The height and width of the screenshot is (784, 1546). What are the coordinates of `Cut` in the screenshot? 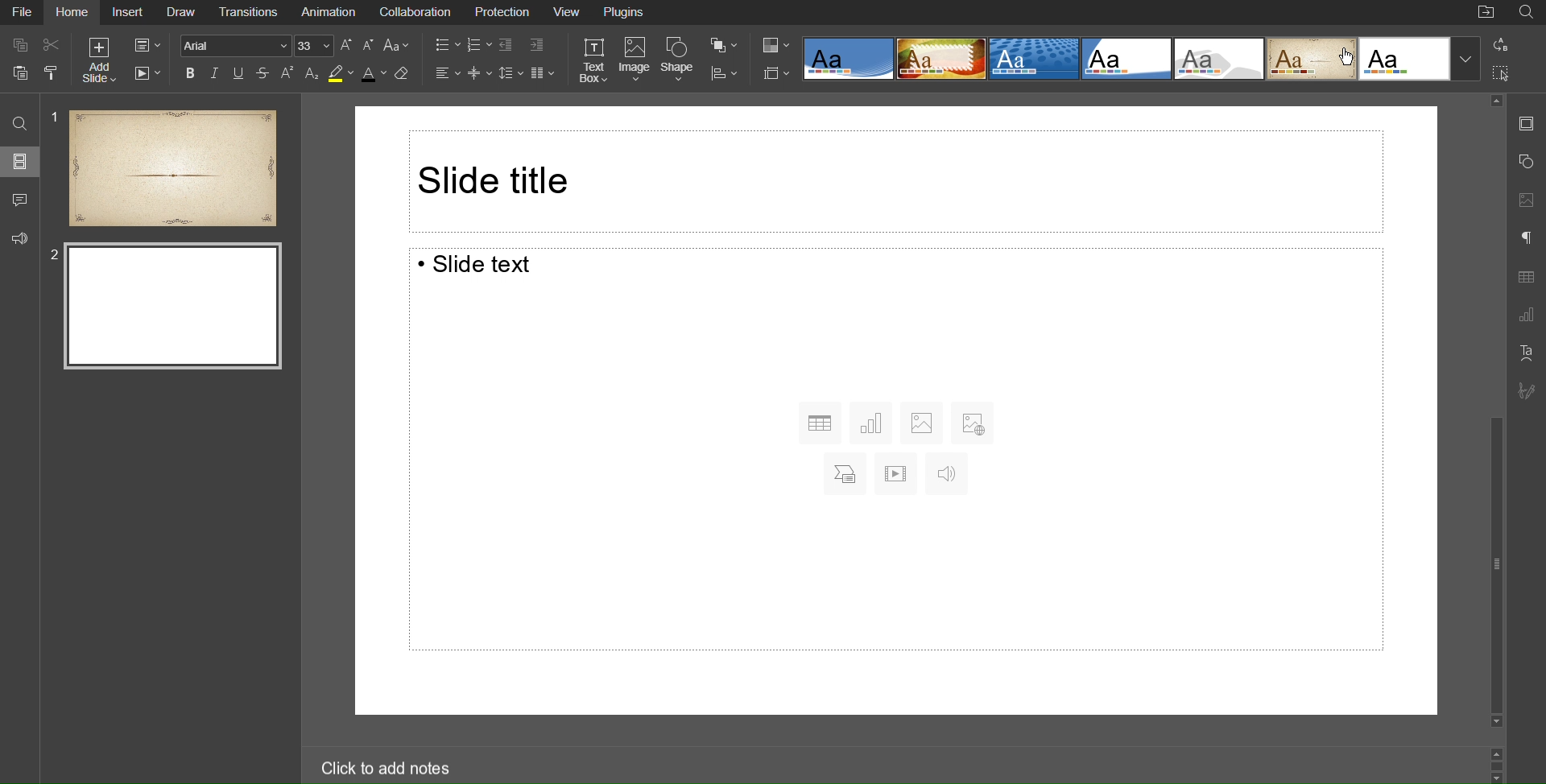 It's located at (52, 47).